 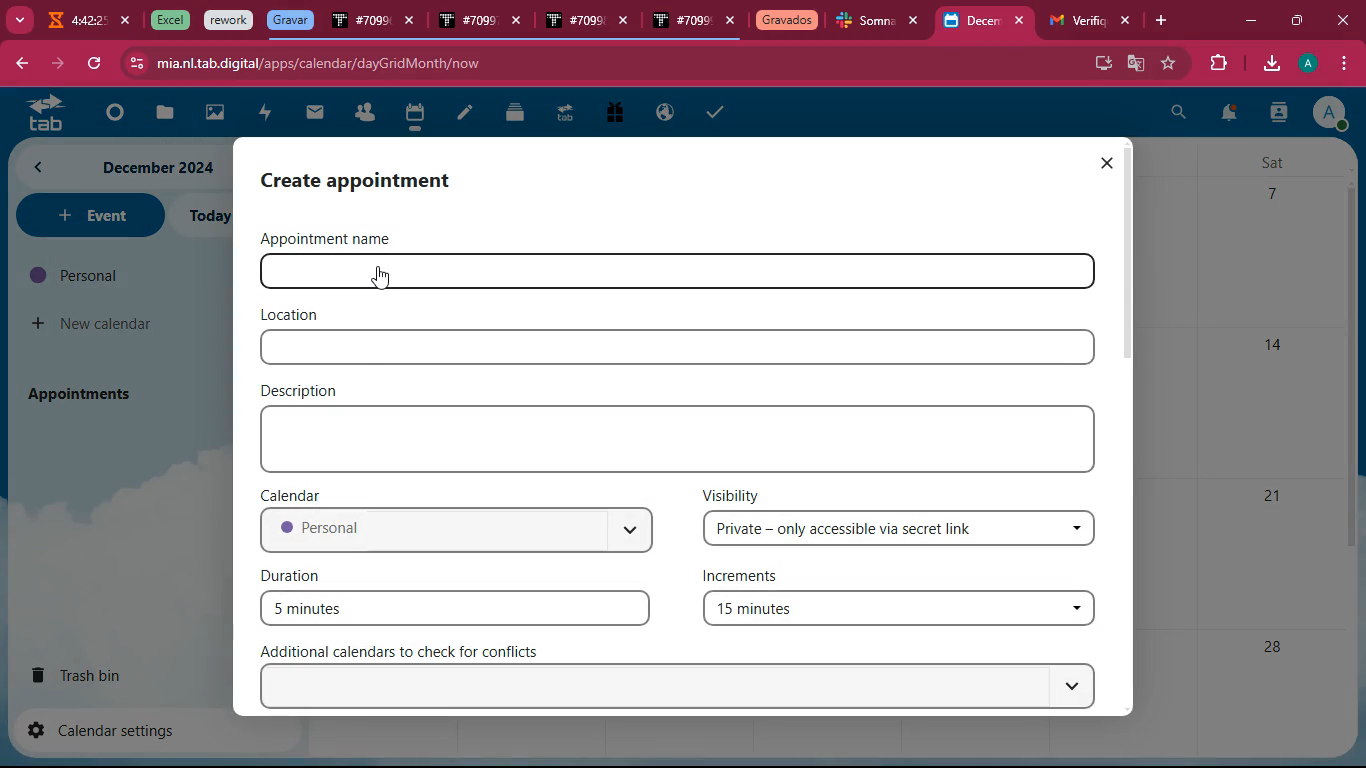 What do you see at coordinates (364, 114) in the screenshot?
I see `people` at bounding box center [364, 114].